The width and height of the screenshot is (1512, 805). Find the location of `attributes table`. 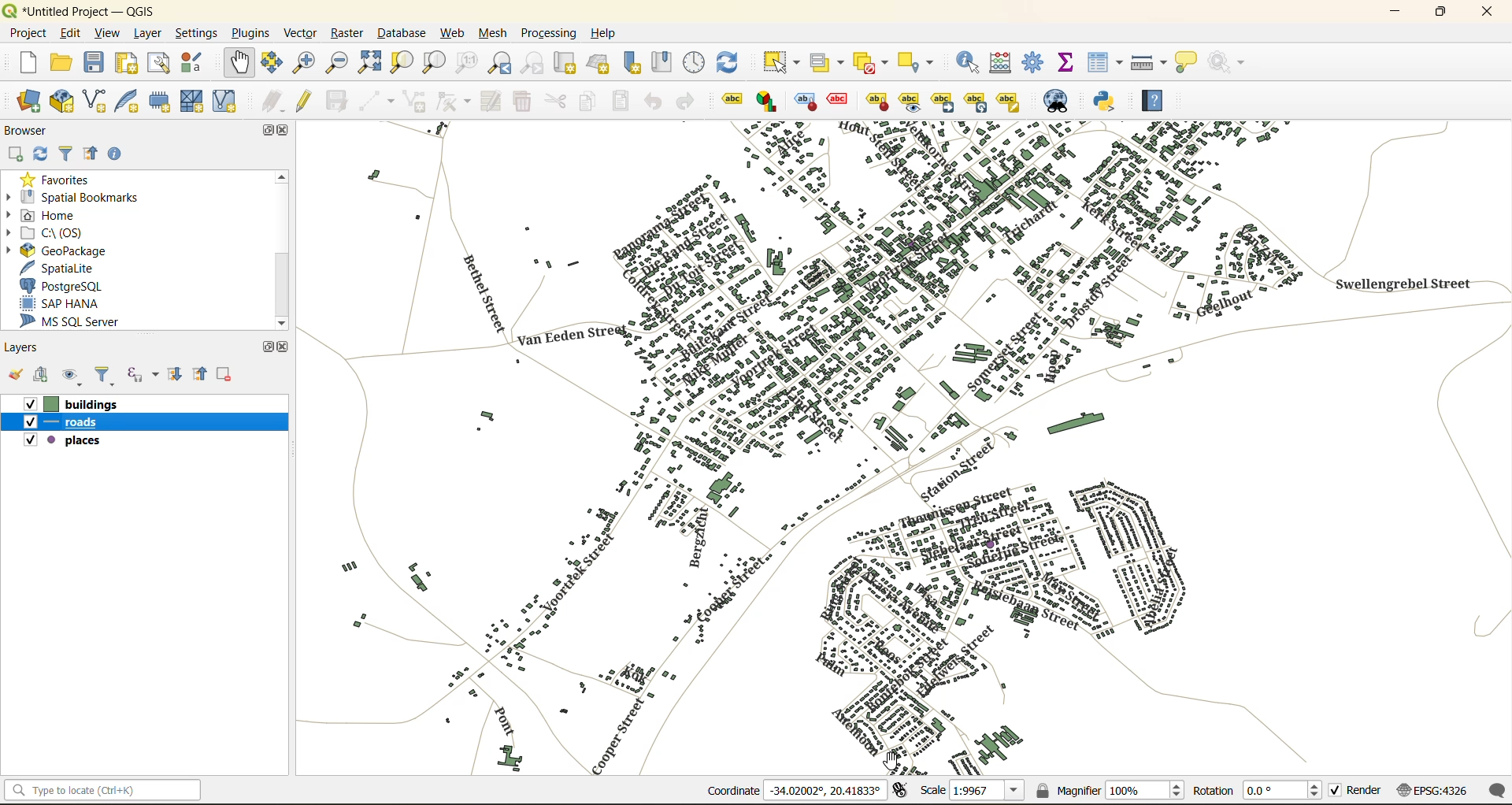

attributes table is located at coordinates (1108, 61).